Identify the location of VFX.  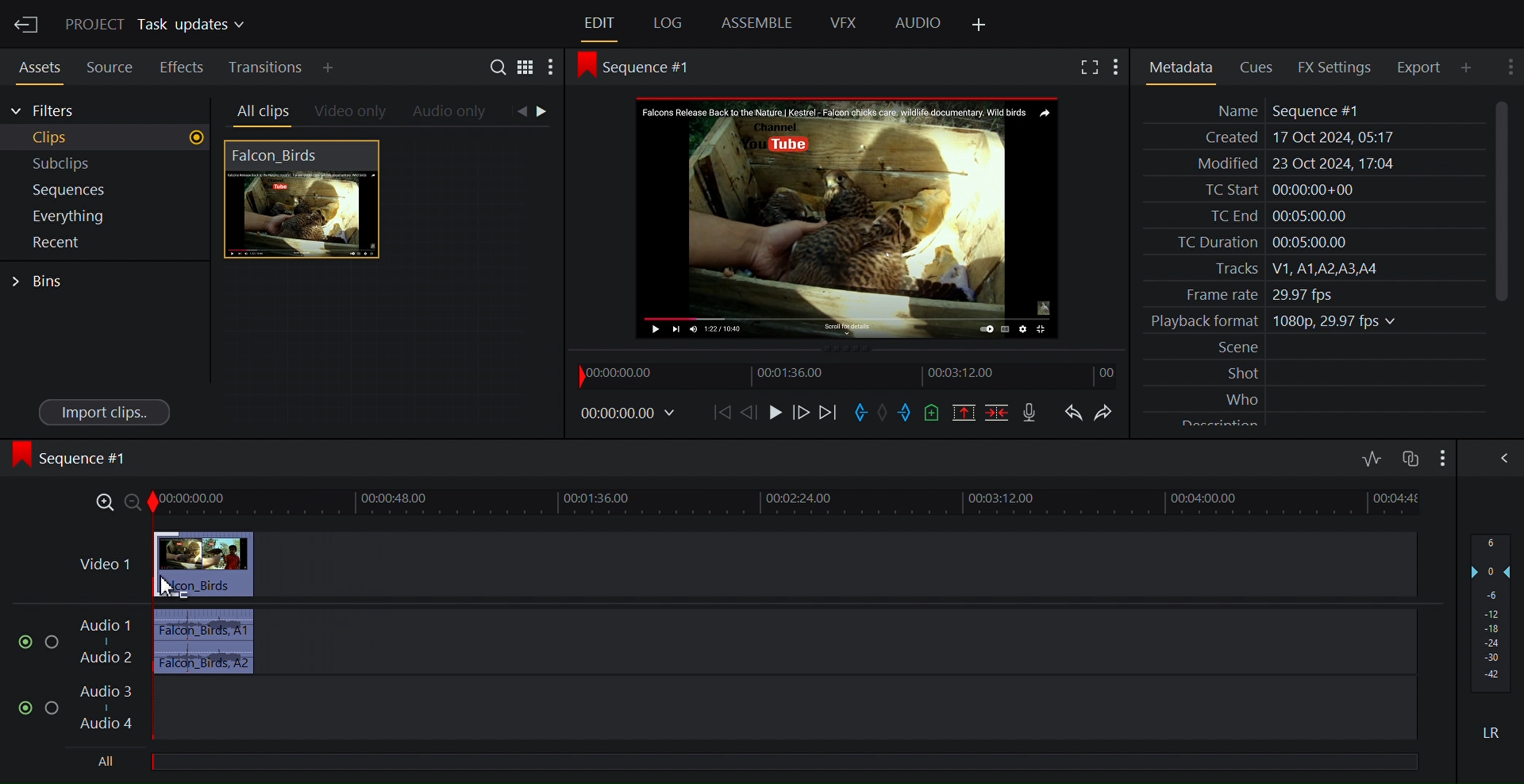
(845, 22).